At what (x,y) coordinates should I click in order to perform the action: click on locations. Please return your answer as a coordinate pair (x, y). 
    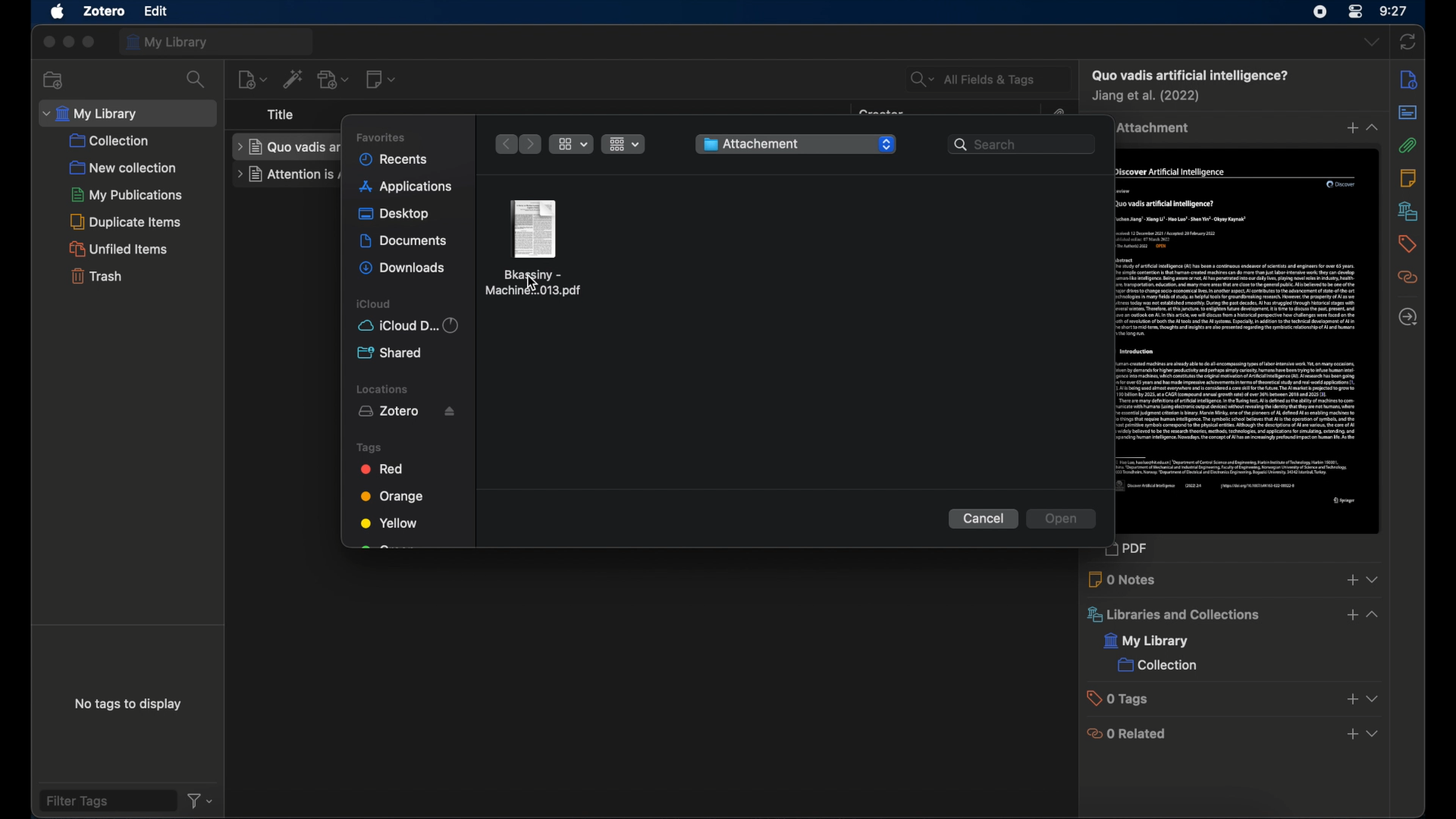
    Looking at the image, I should click on (384, 389).